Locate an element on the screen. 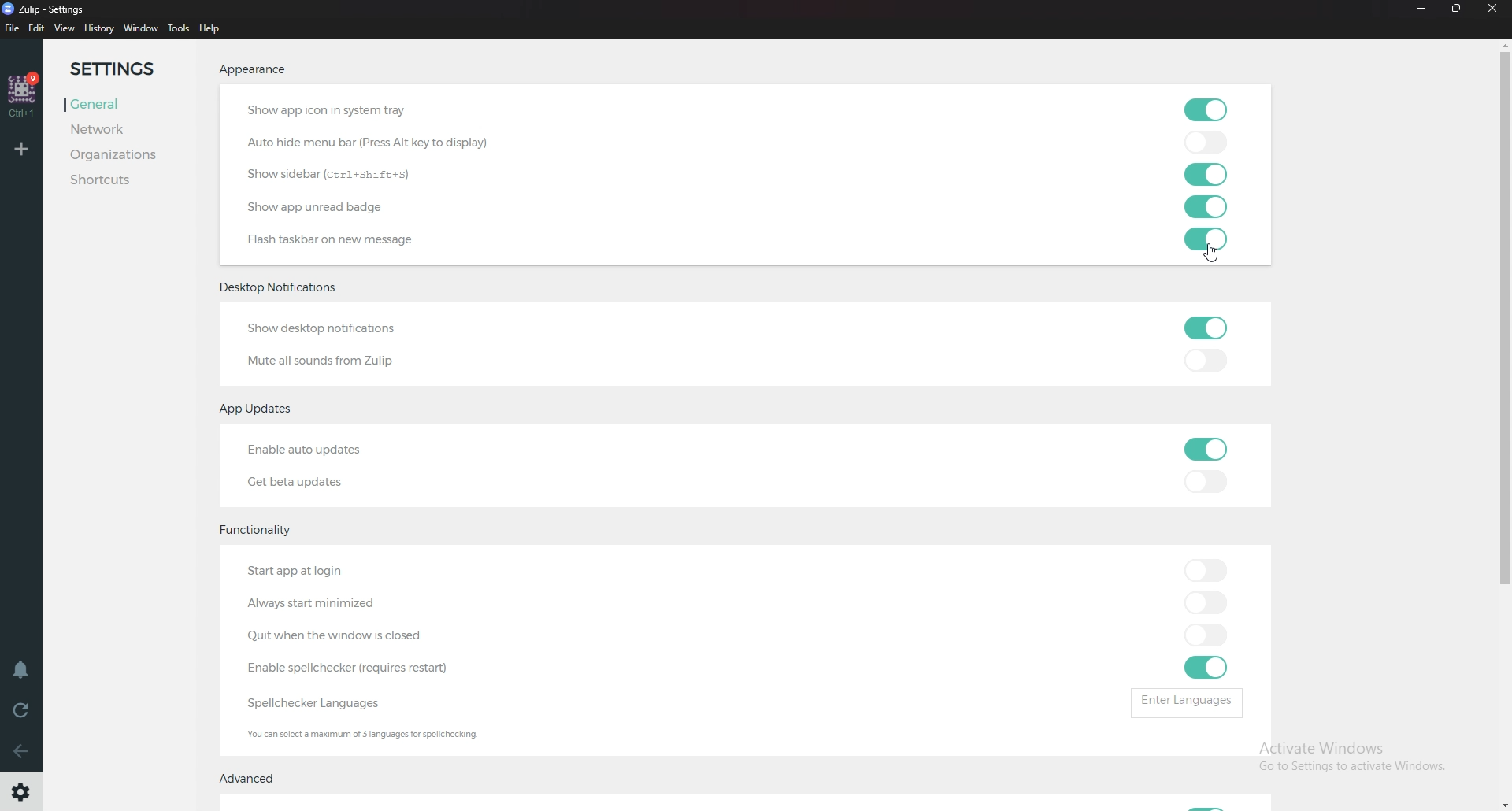 Image resolution: width=1512 pixels, height=811 pixels. mute all sounds from Zulip is located at coordinates (322, 360).